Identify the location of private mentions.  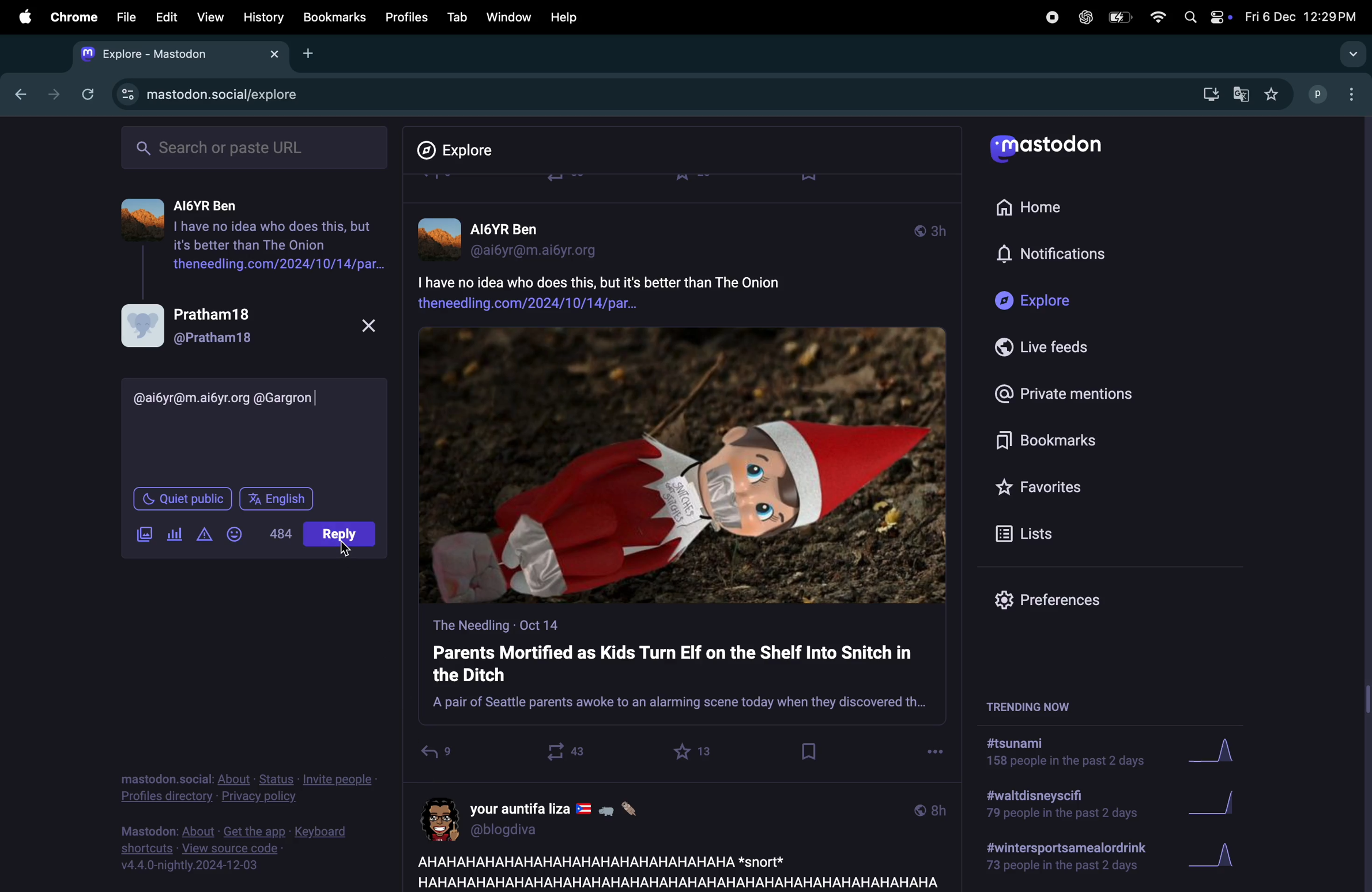
(1062, 392).